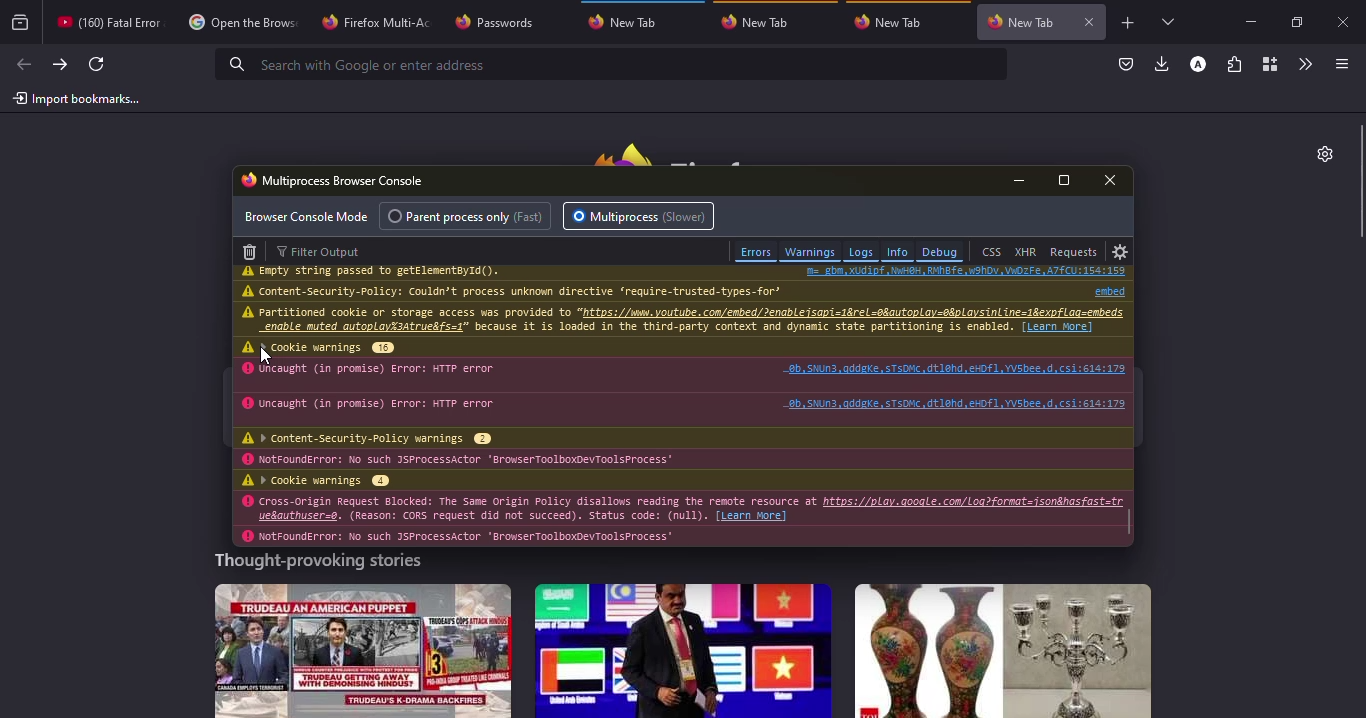 The width and height of the screenshot is (1366, 718). I want to click on vertical scroll bar, so click(1357, 182).